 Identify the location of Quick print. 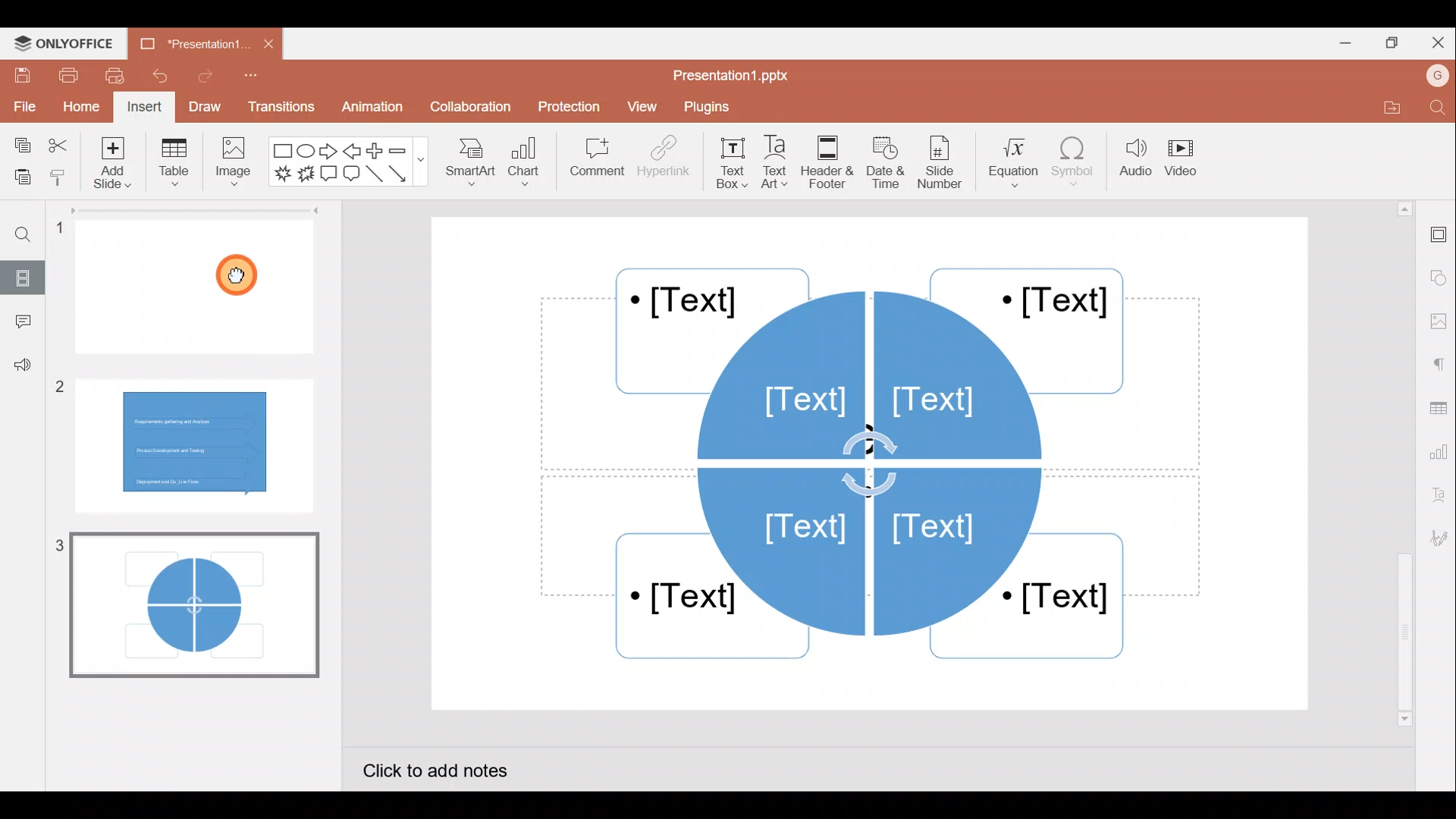
(115, 76).